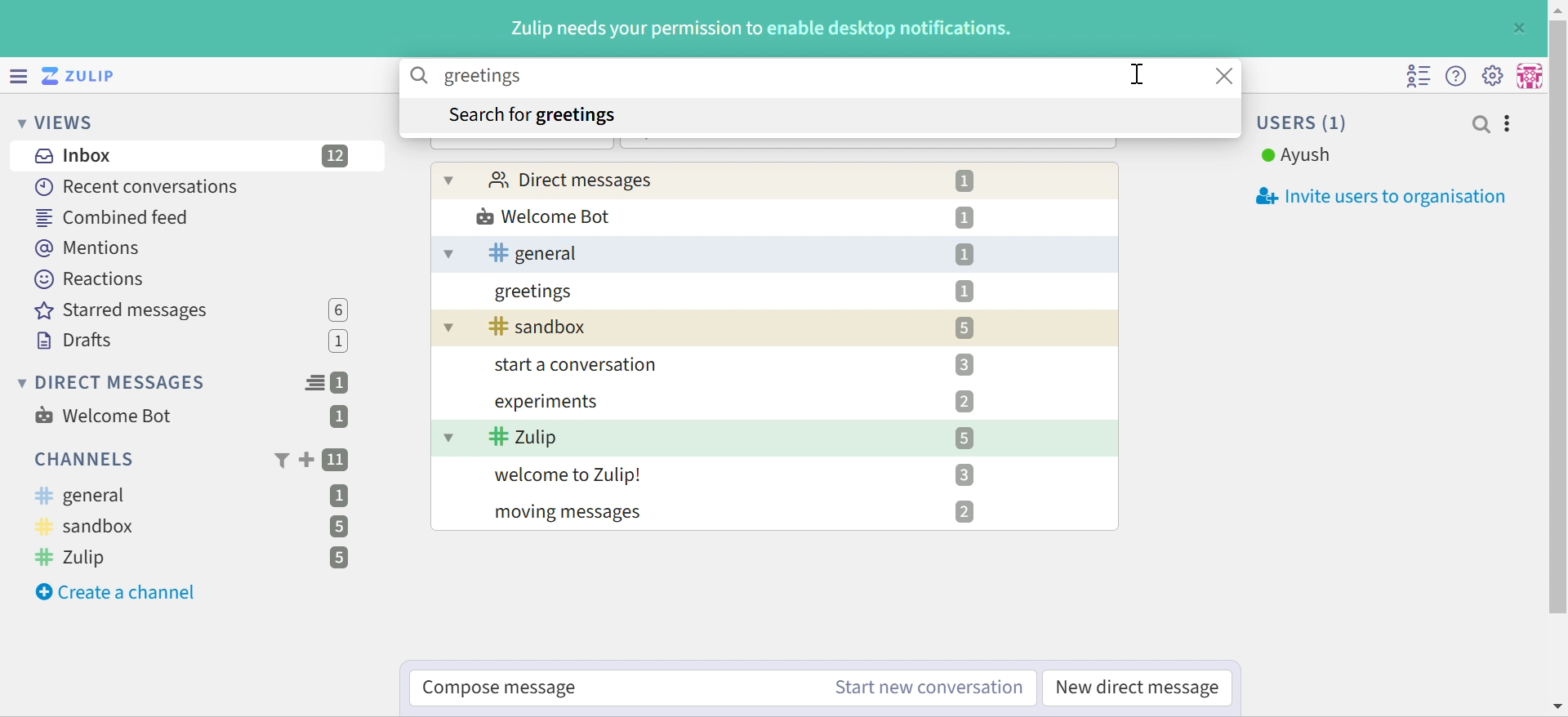  Describe the element at coordinates (1373, 197) in the screenshot. I see `Invite users to organisation` at that location.